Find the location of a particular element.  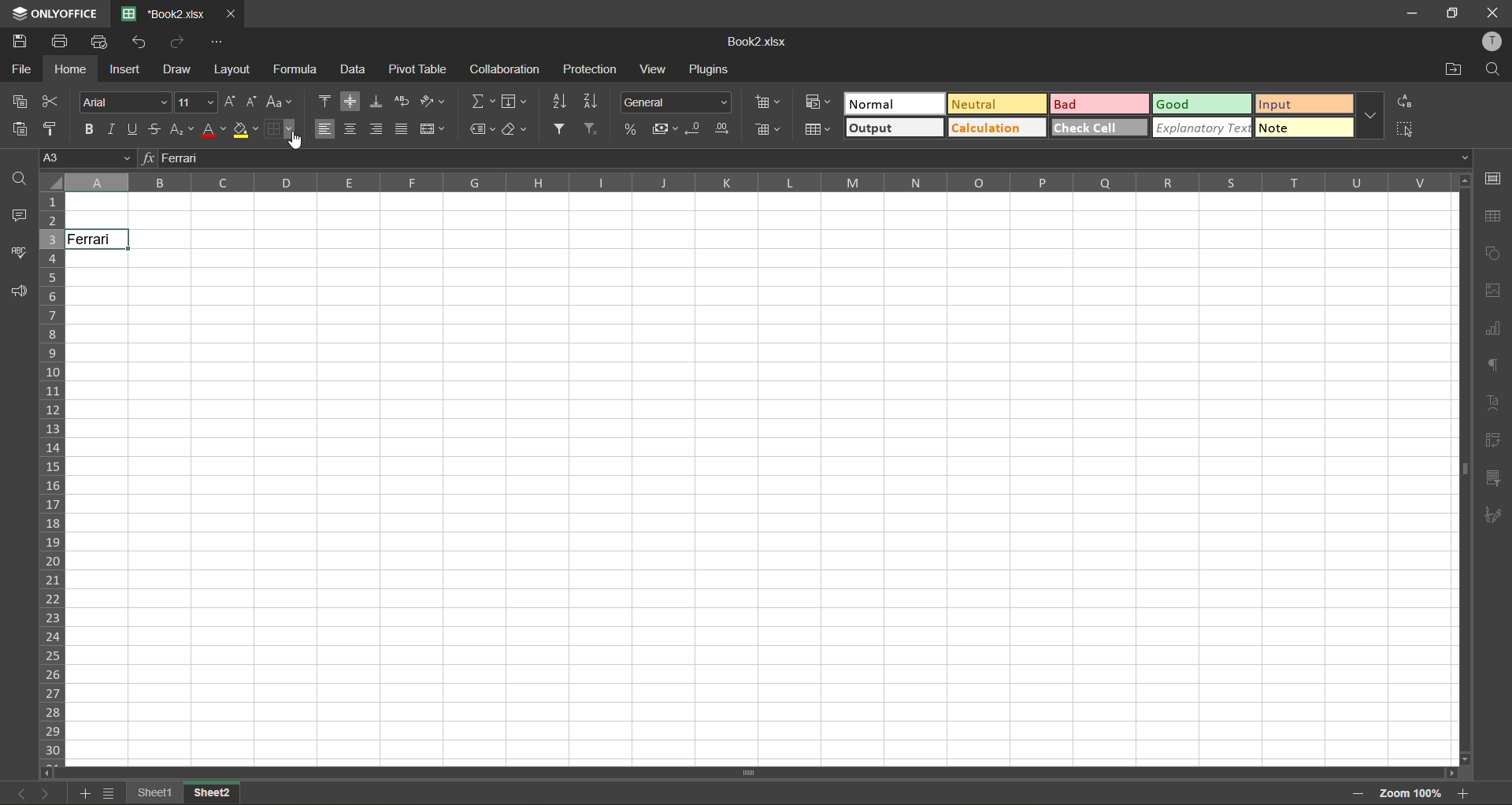

close is located at coordinates (234, 13).